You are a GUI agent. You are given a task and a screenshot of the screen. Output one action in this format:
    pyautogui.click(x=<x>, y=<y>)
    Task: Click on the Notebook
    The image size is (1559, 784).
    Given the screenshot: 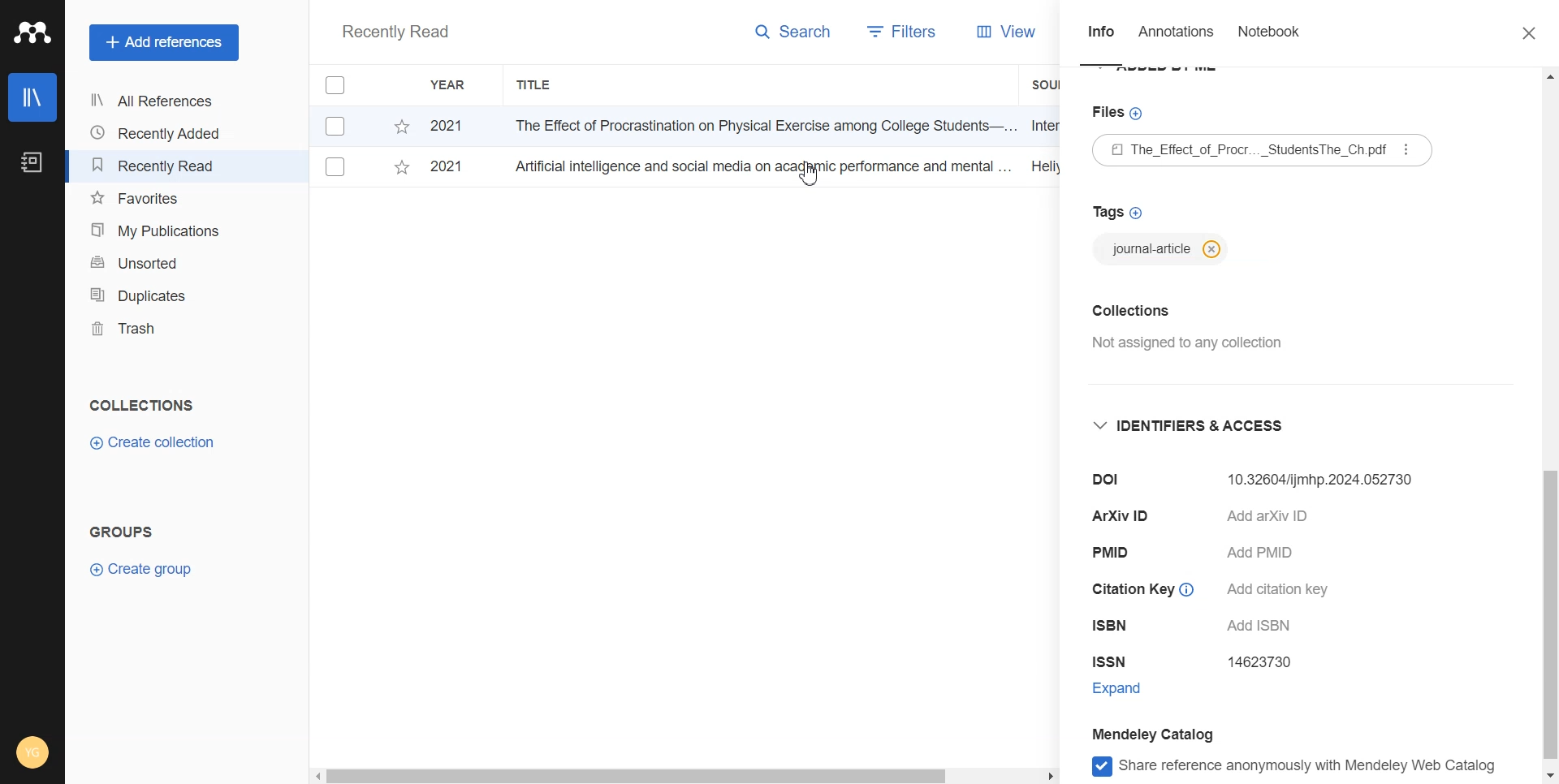 What is the action you would take?
    pyautogui.click(x=30, y=163)
    